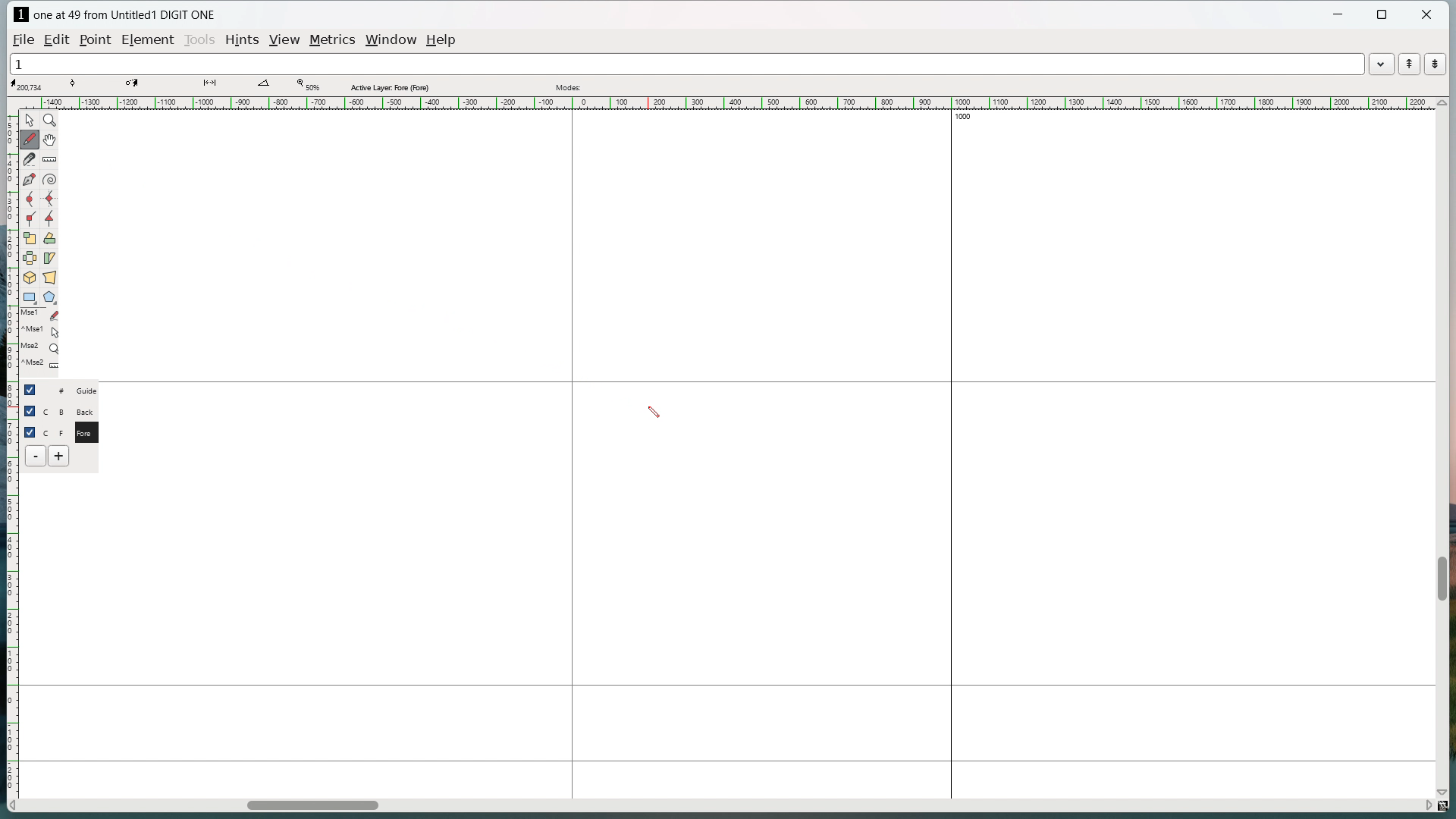 The width and height of the screenshot is (1456, 819). Describe the element at coordinates (30, 258) in the screenshot. I see `flip the selection` at that location.